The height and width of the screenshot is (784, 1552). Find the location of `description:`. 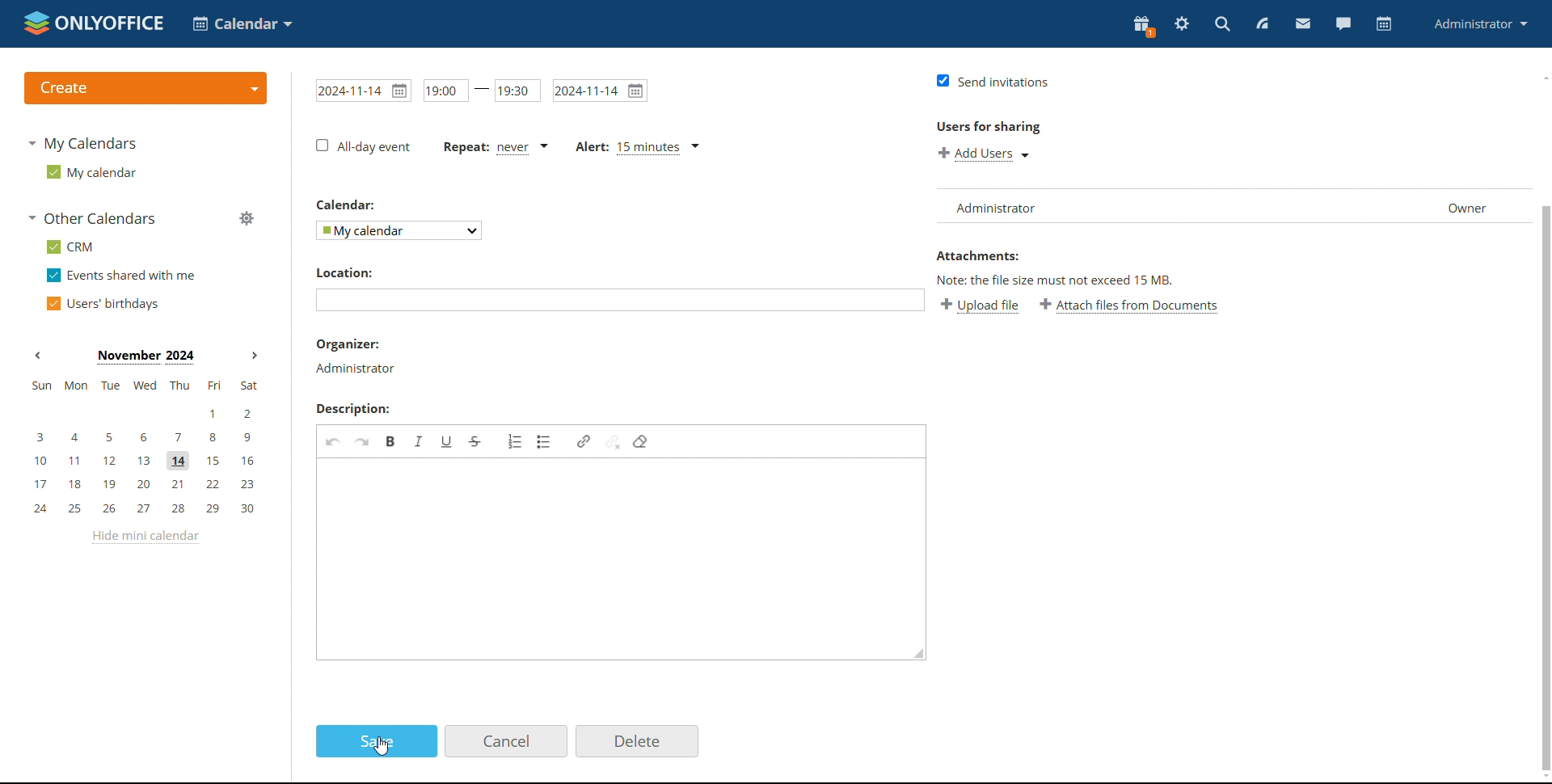

description: is located at coordinates (356, 404).